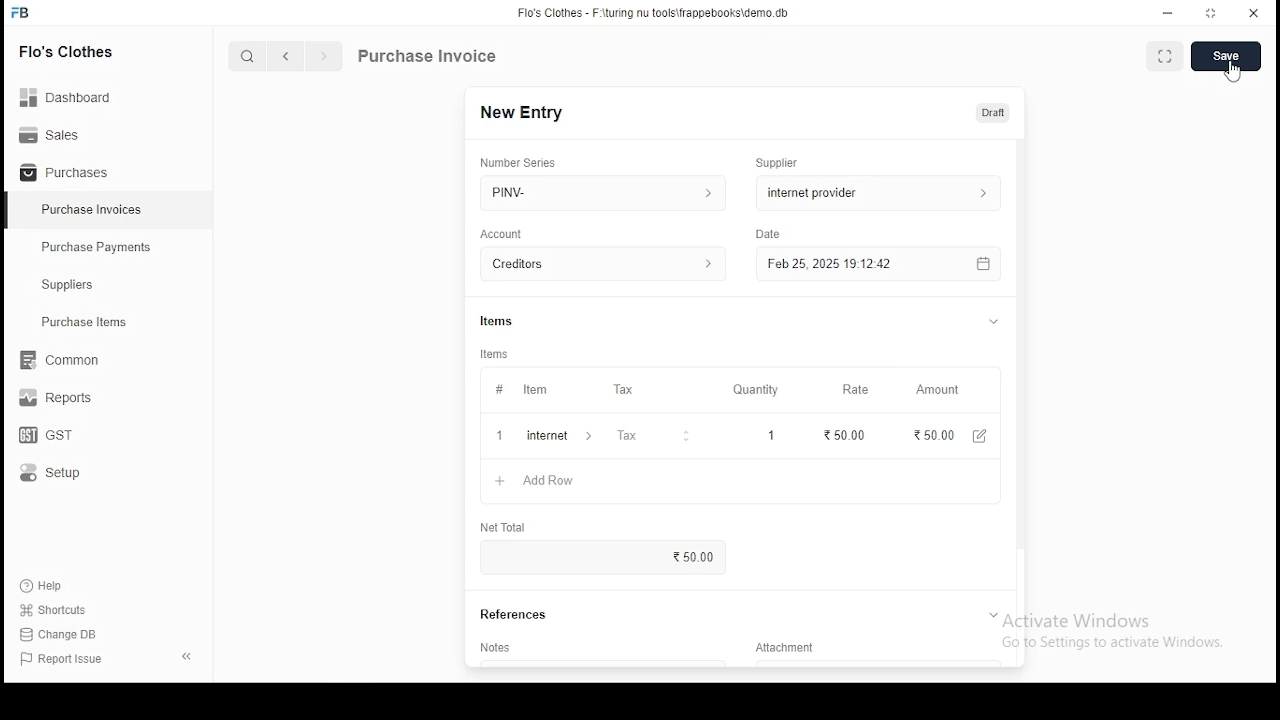  I want to click on Sales, so click(55, 133).